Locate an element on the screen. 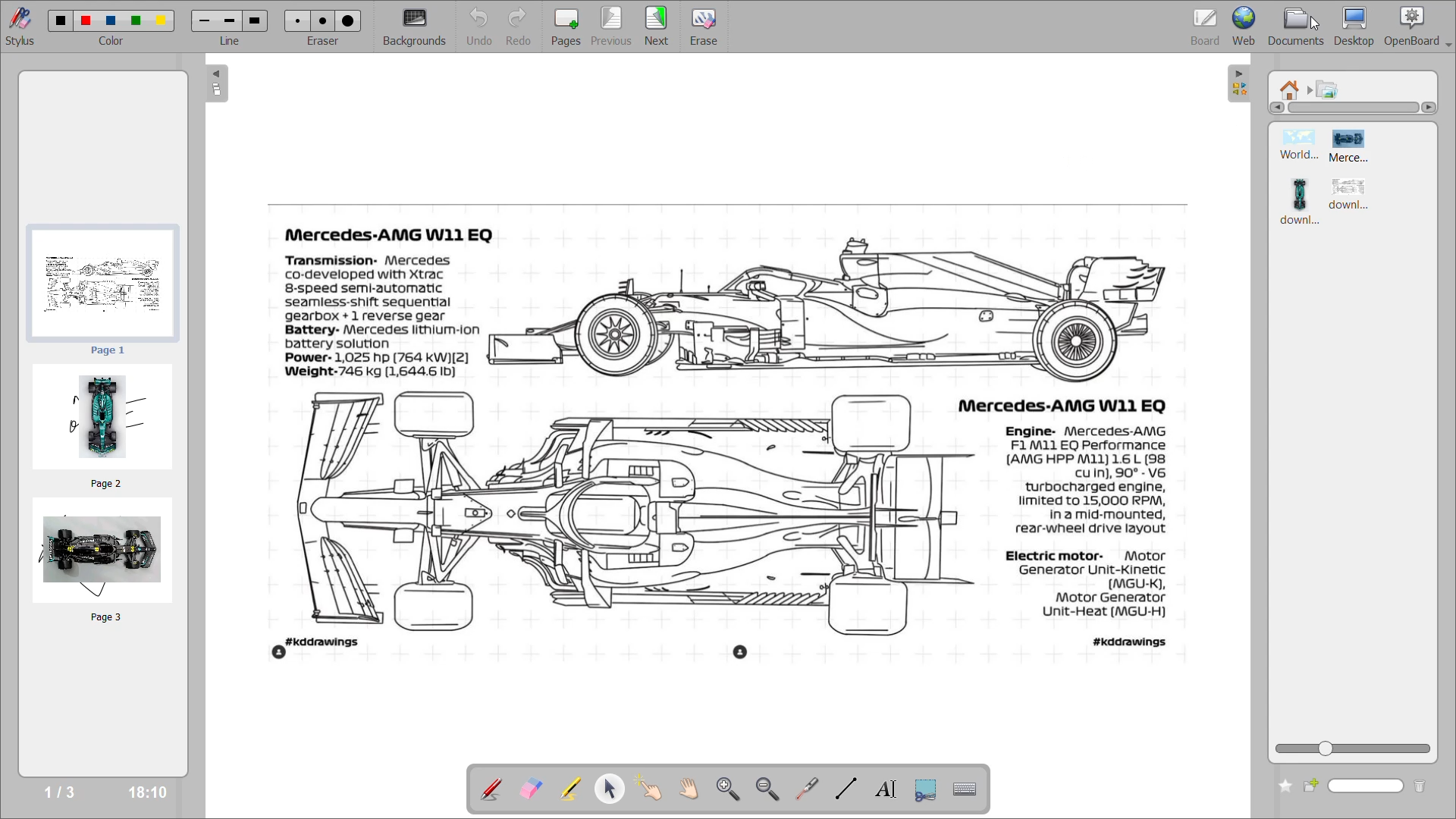 The height and width of the screenshot is (819, 1456). stylus is located at coordinates (20, 25).